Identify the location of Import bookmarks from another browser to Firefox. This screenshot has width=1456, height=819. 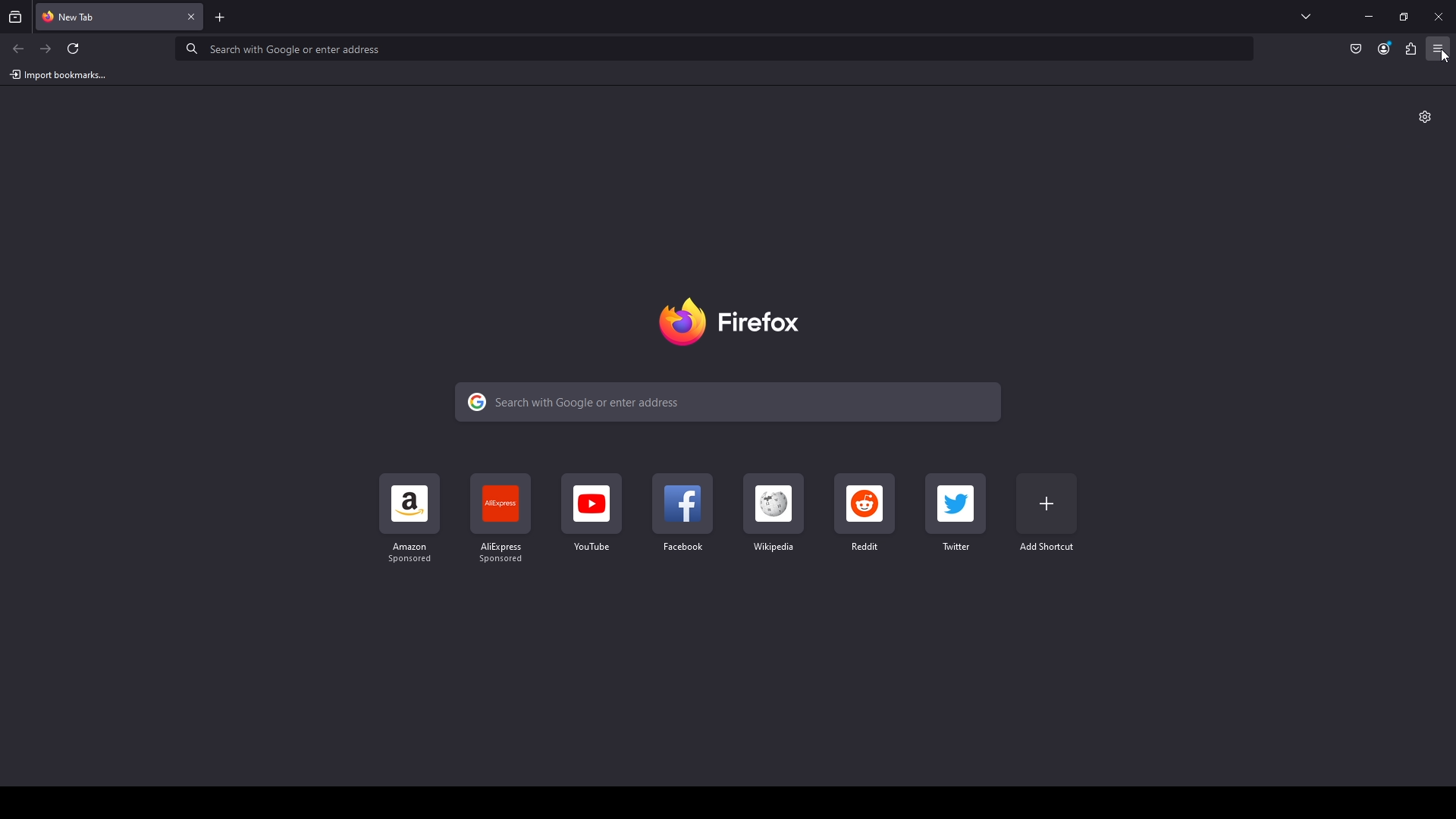
(58, 74).